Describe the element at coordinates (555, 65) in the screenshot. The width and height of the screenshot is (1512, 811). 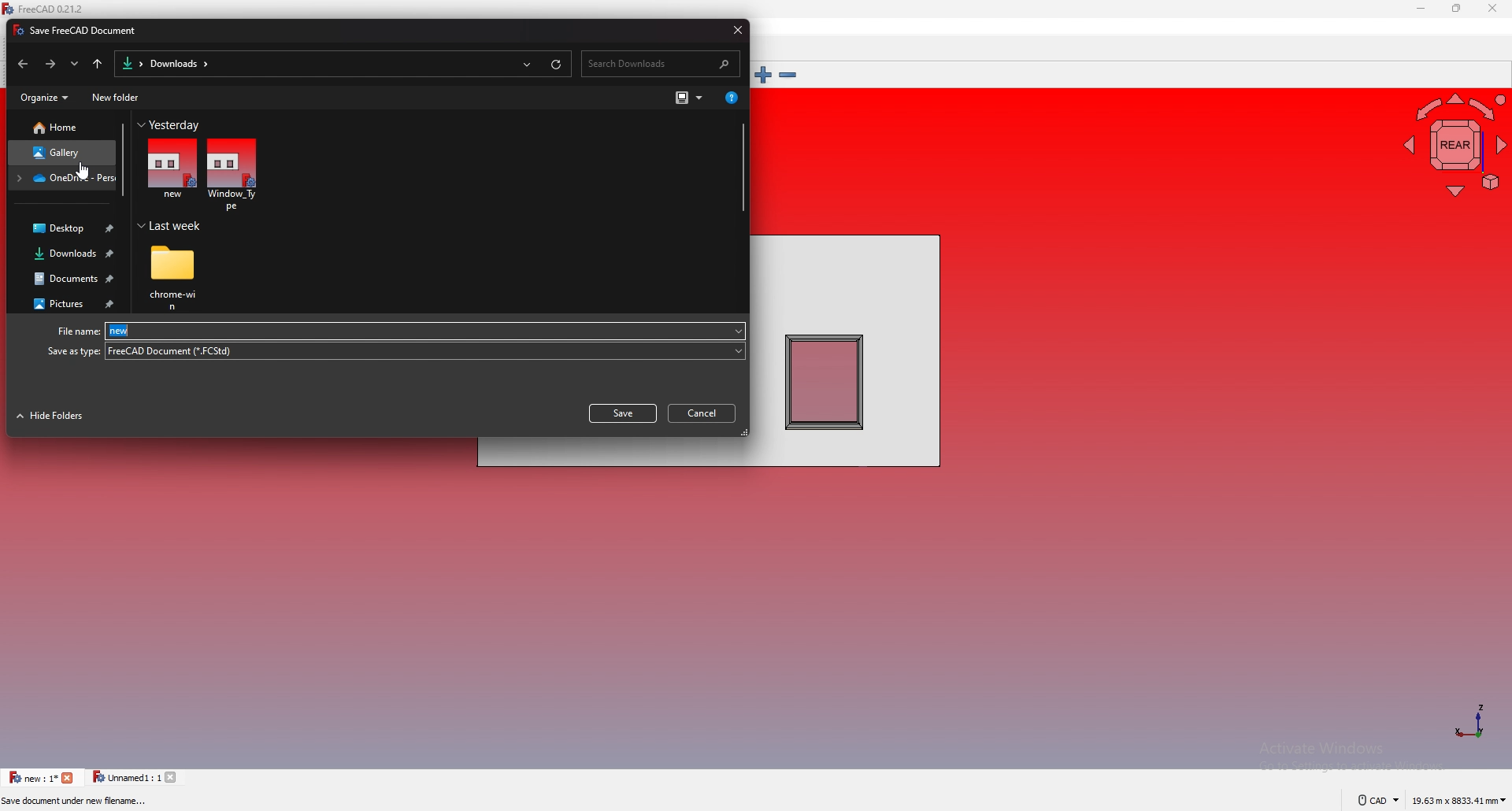
I see `refresh` at that location.